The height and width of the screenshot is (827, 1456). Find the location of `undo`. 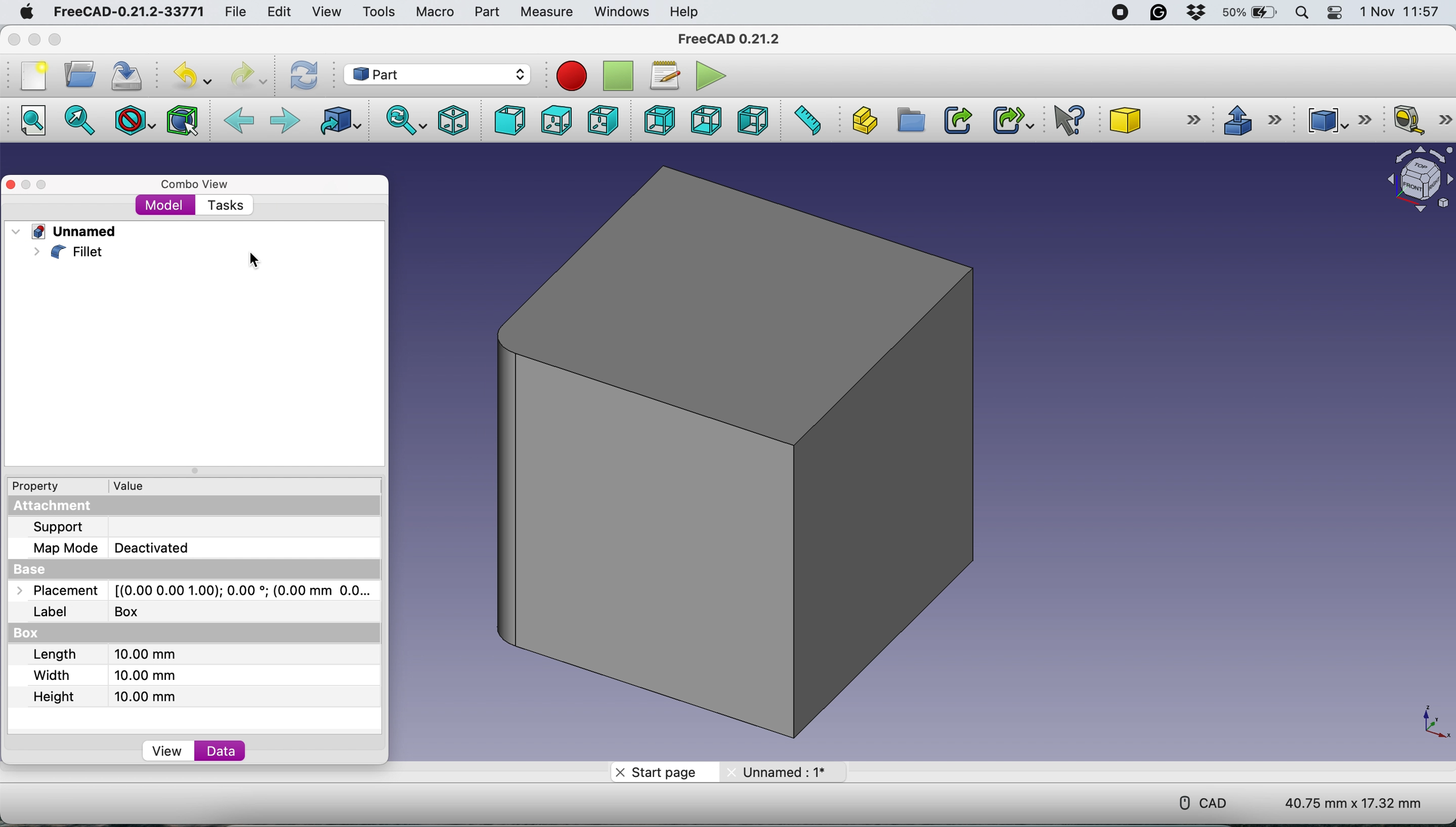

undo is located at coordinates (192, 75).